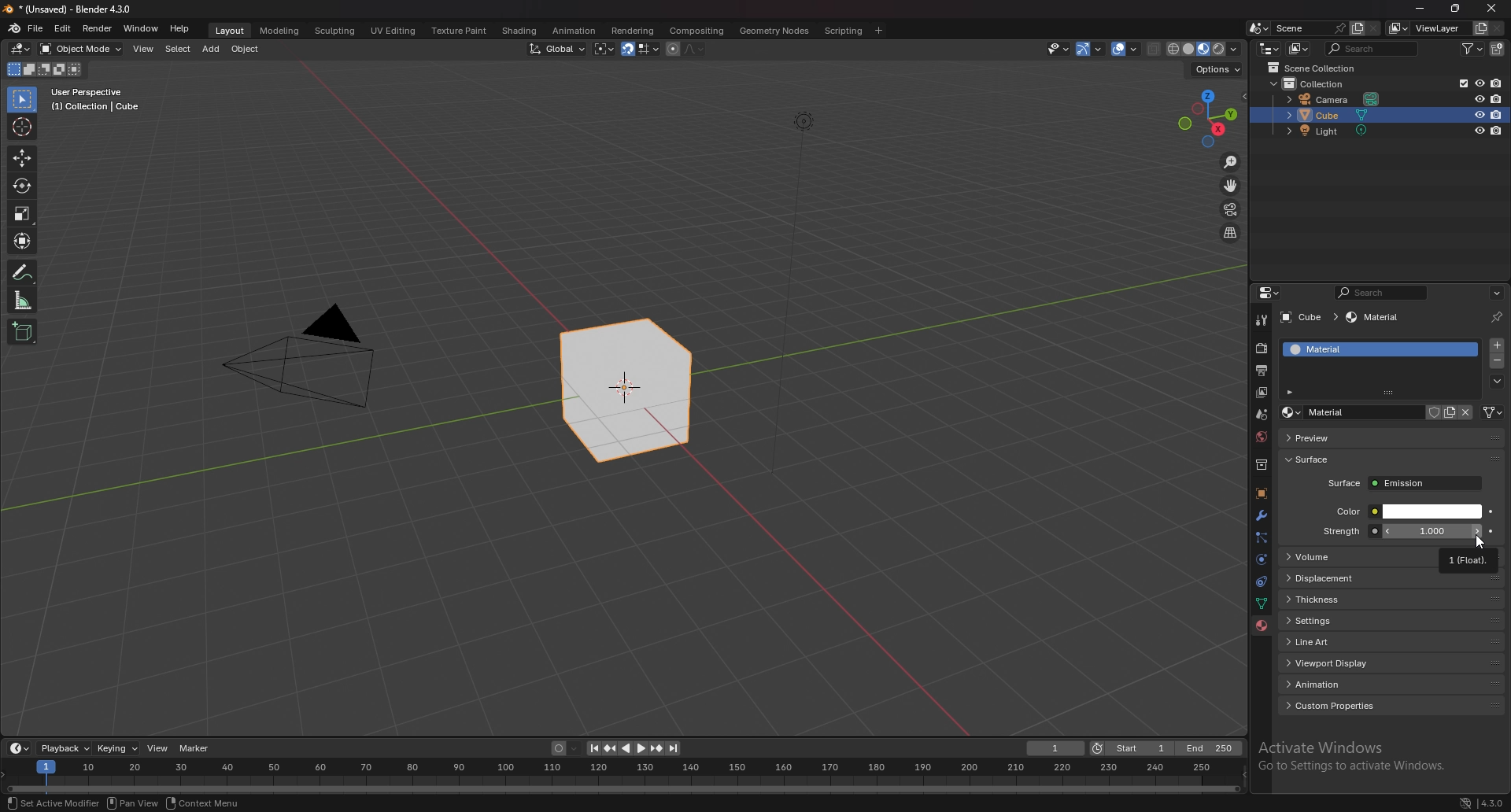 The image size is (1511, 812). What do you see at coordinates (21, 100) in the screenshot?
I see `selector` at bounding box center [21, 100].